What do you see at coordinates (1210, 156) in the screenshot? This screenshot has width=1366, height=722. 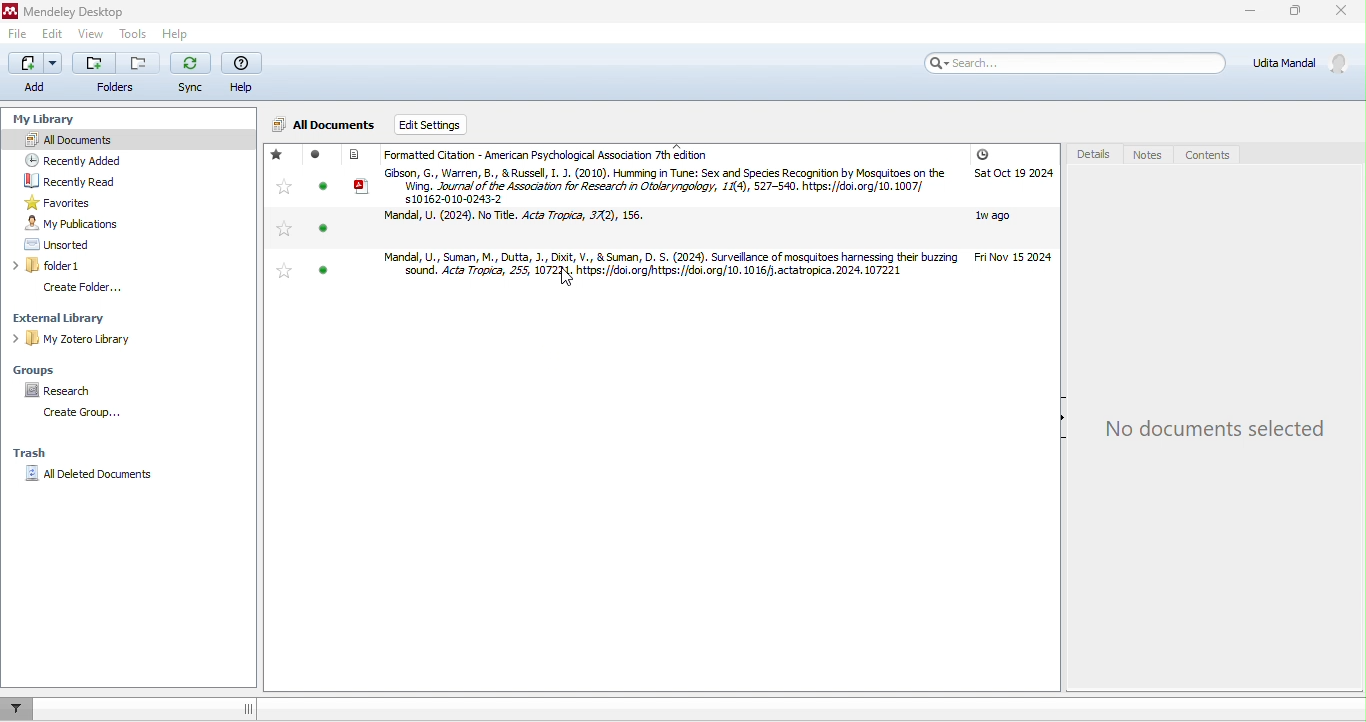 I see `contents` at bounding box center [1210, 156].